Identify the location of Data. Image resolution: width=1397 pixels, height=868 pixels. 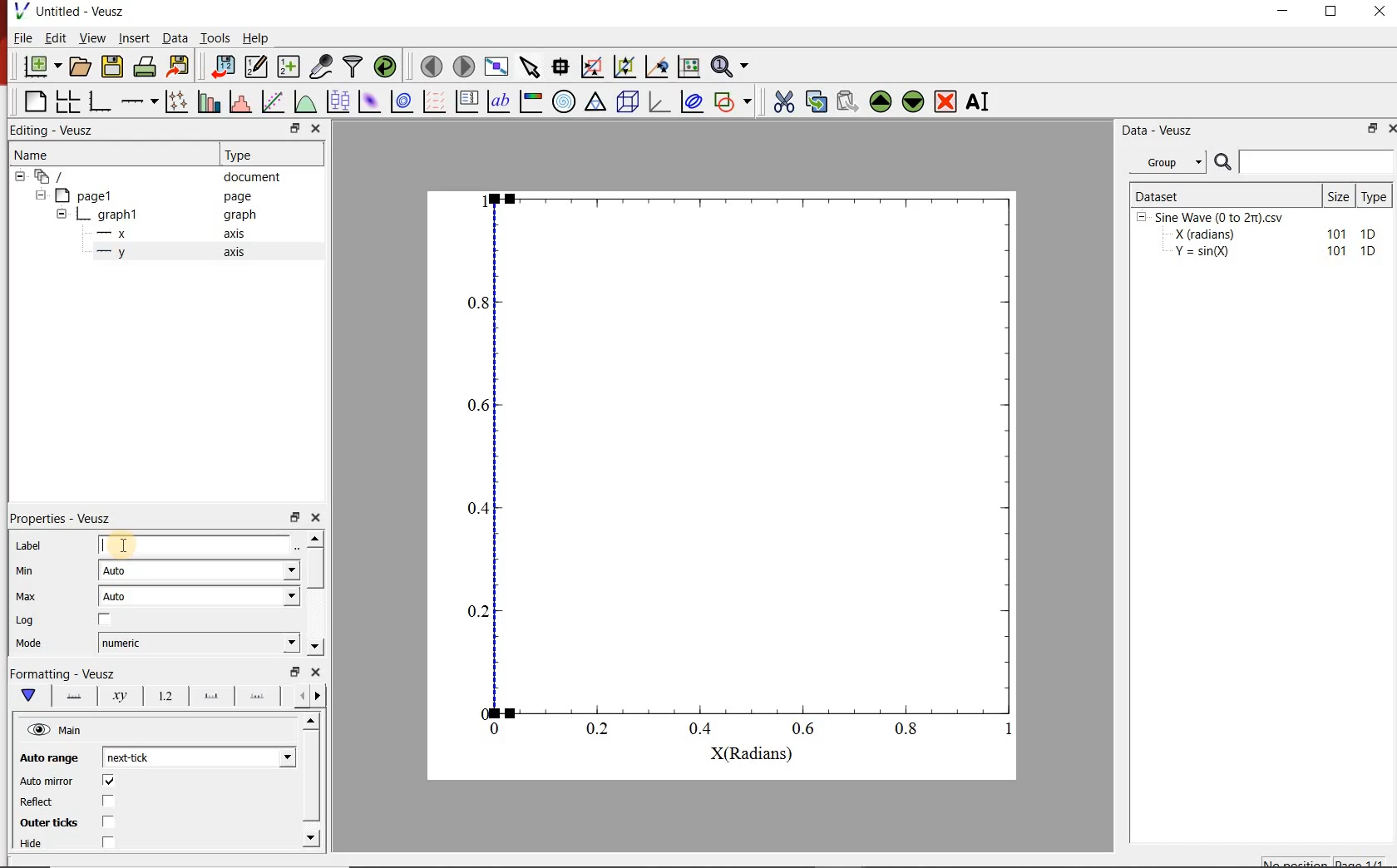
(174, 37).